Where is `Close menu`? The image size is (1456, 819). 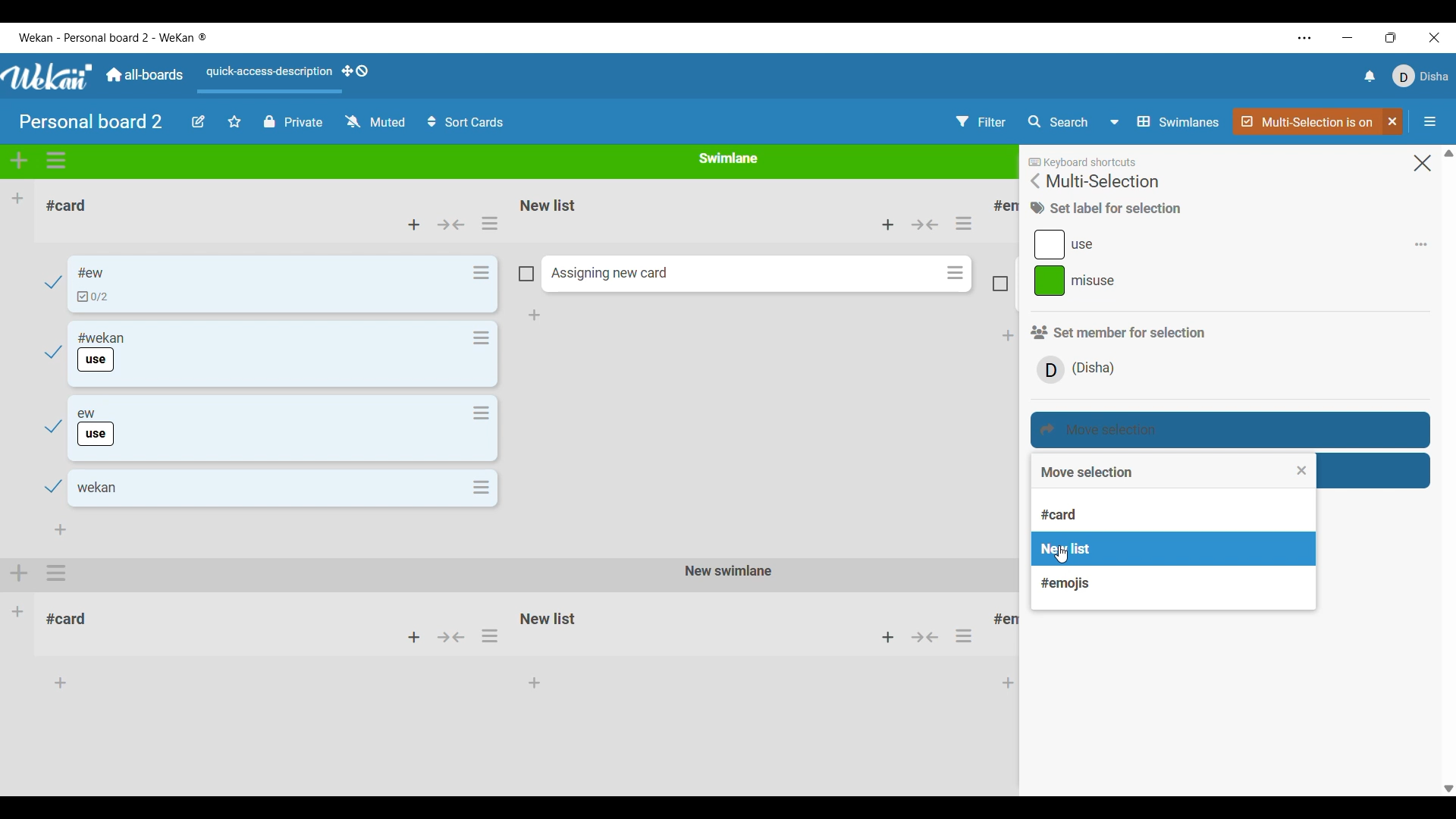 Close menu is located at coordinates (1423, 163).